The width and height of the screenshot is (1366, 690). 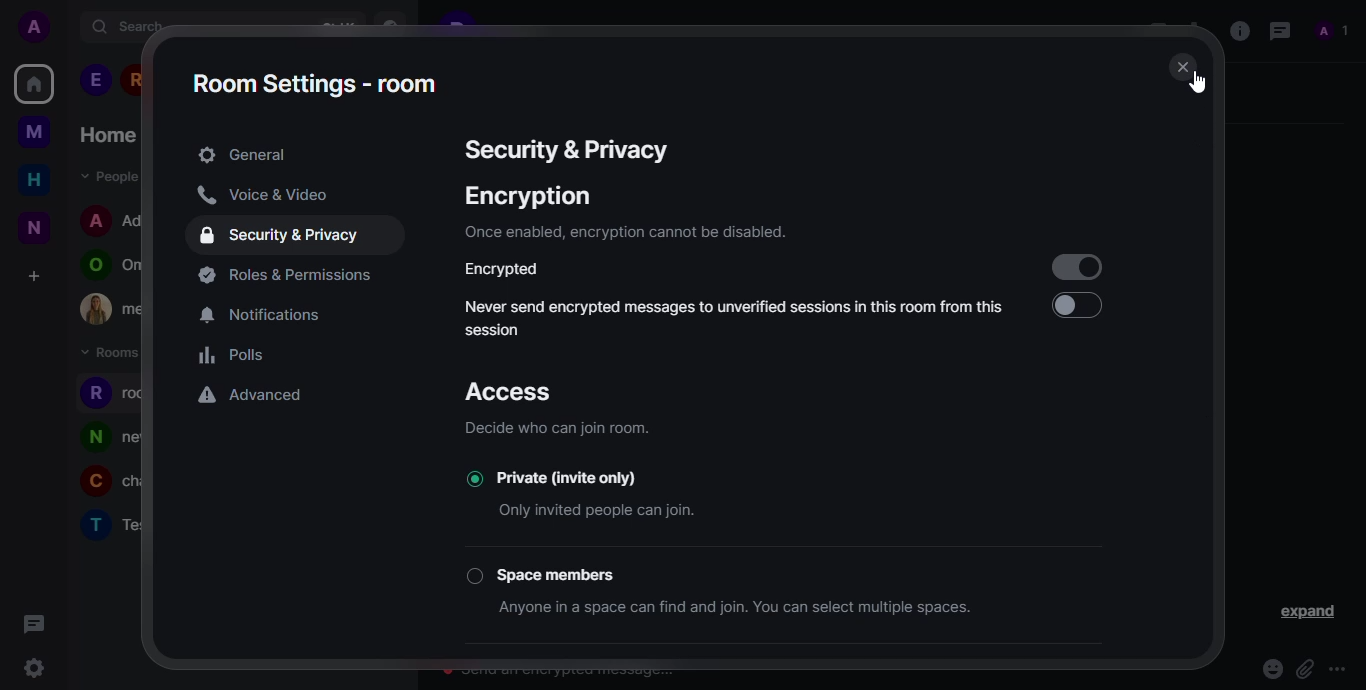 What do you see at coordinates (1185, 68) in the screenshot?
I see `close` at bounding box center [1185, 68].